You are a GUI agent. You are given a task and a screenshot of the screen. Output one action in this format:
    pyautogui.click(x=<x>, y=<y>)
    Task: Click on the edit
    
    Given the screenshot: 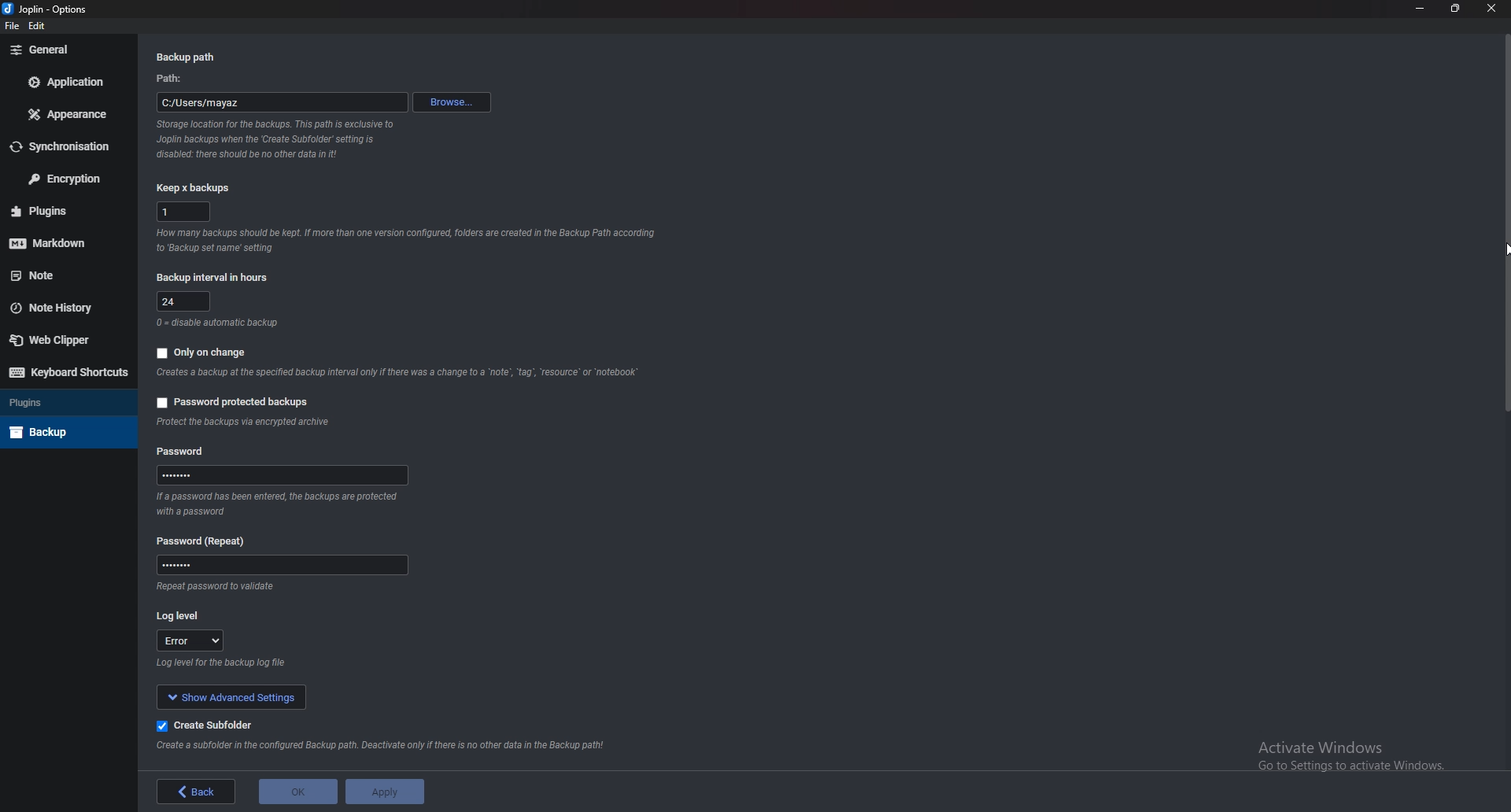 What is the action you would take?
    pyautogui.click(x=38, y=27)
    